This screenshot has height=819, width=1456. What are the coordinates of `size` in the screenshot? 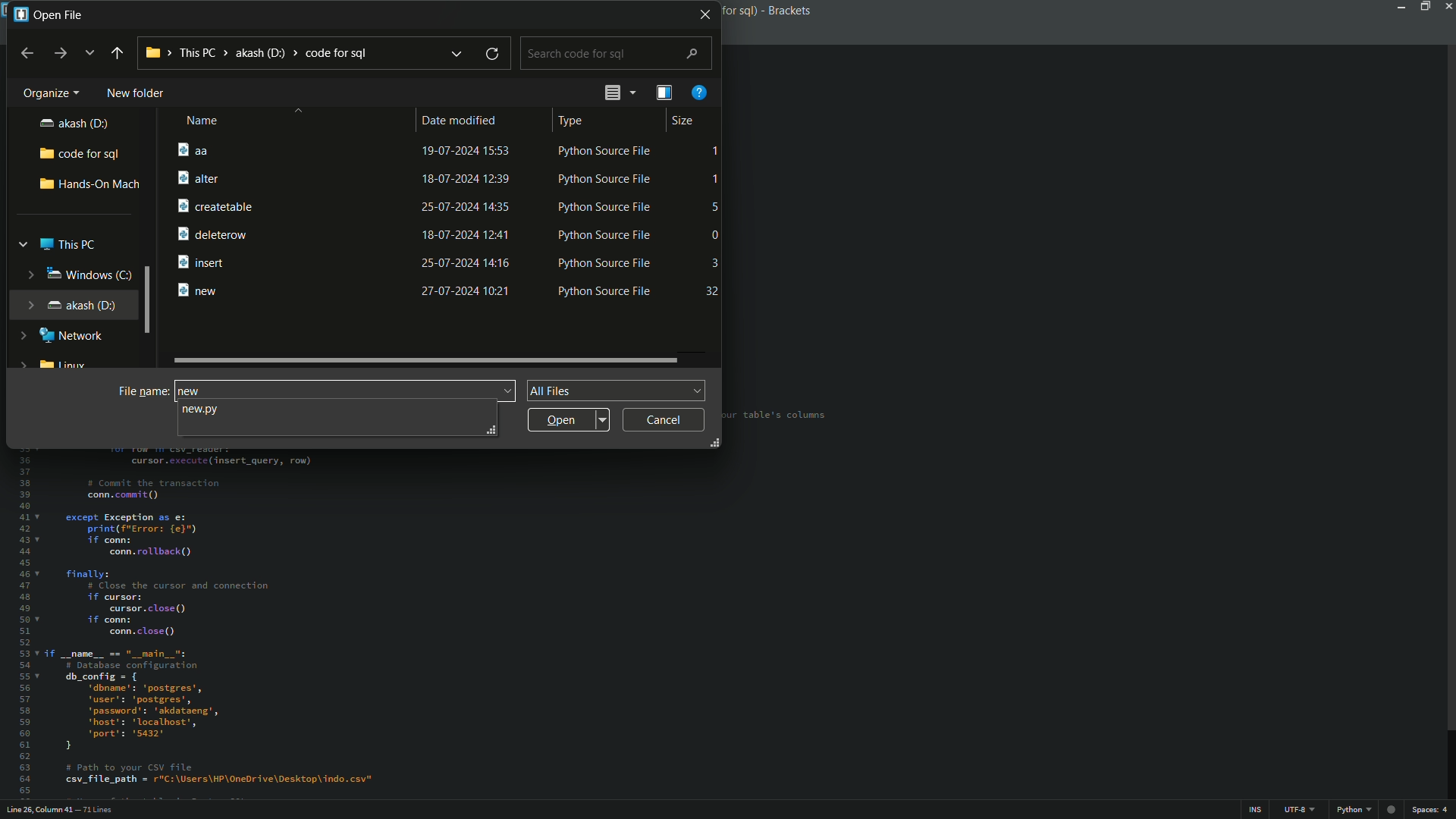 It's located at (682, 121).